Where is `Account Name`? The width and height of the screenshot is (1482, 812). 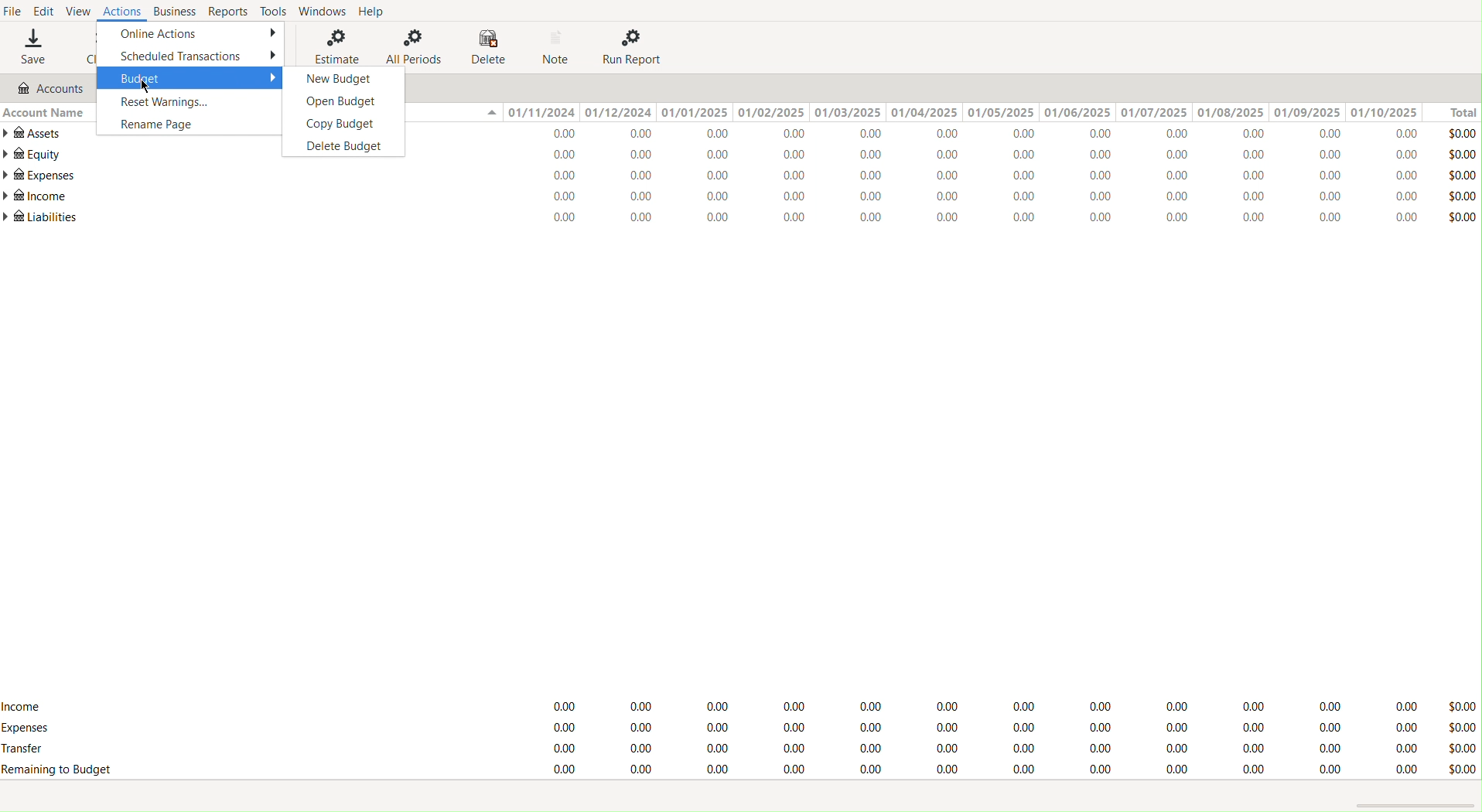 Account Name is located at coordinates (43, 111).